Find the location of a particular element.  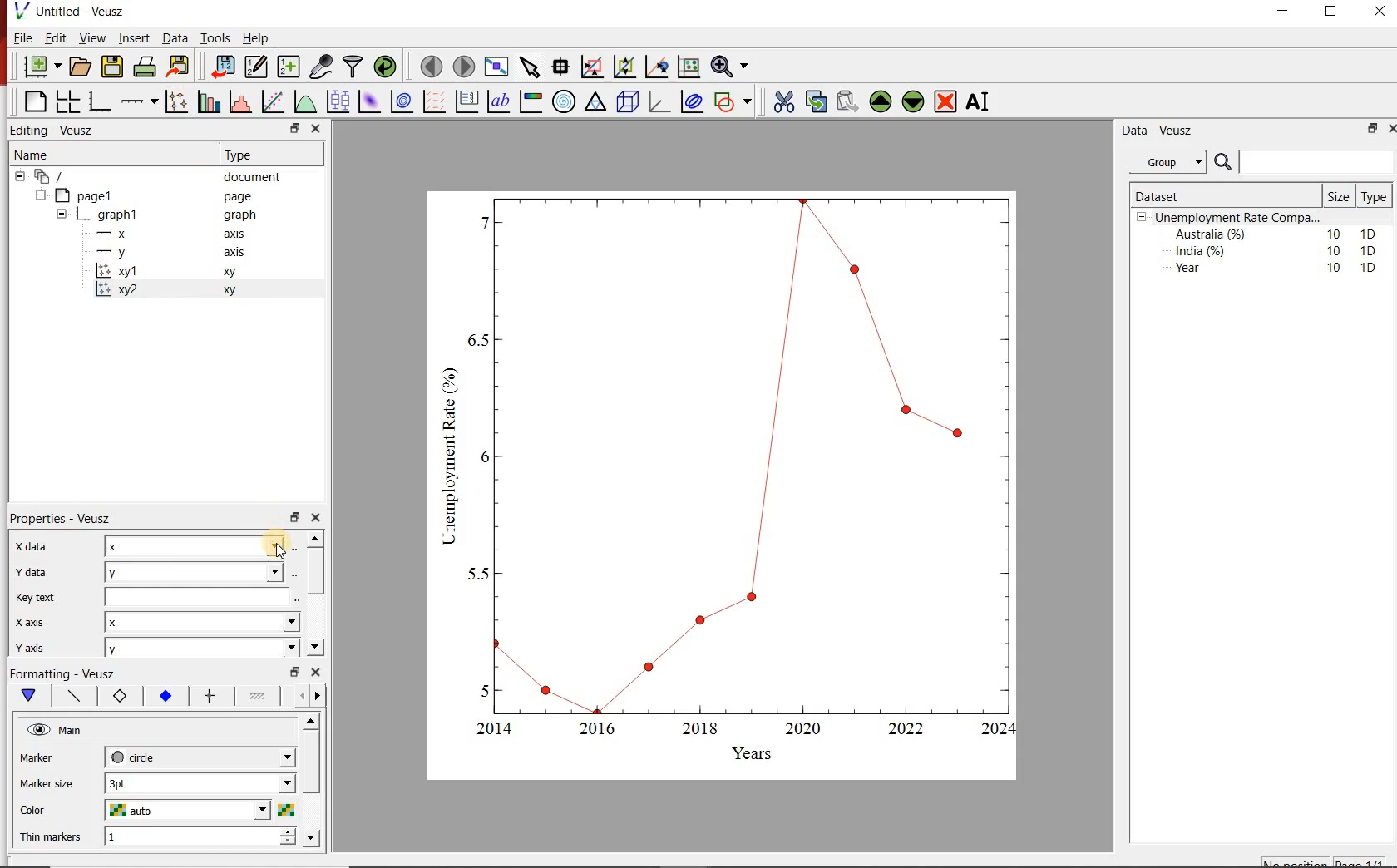

minimise is located at coordinates (294, 516).